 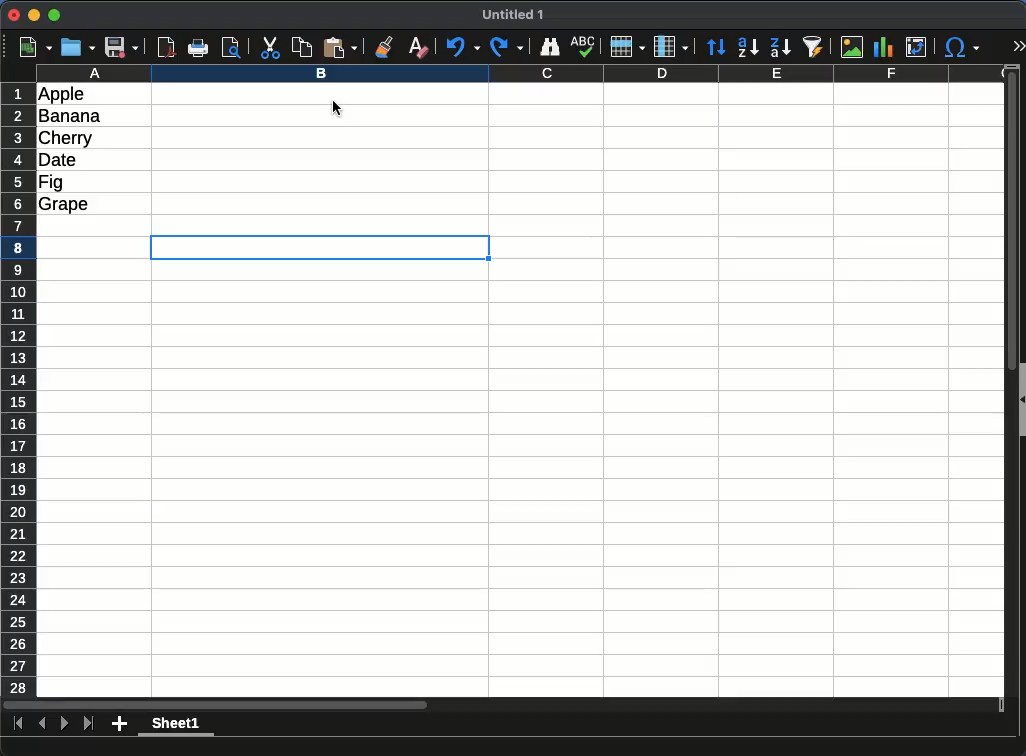 I want to click on special character, so click(x=962, y=47).